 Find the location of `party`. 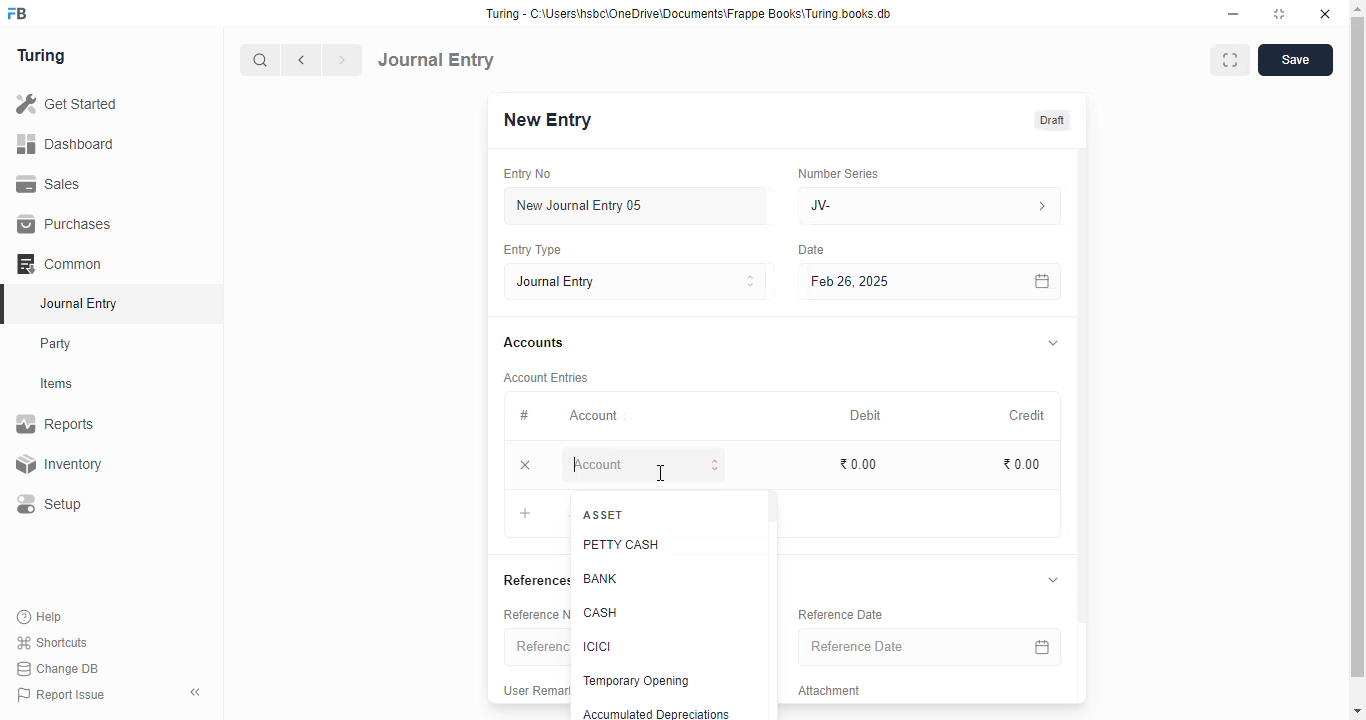

party is located at coordinates (58, 344).